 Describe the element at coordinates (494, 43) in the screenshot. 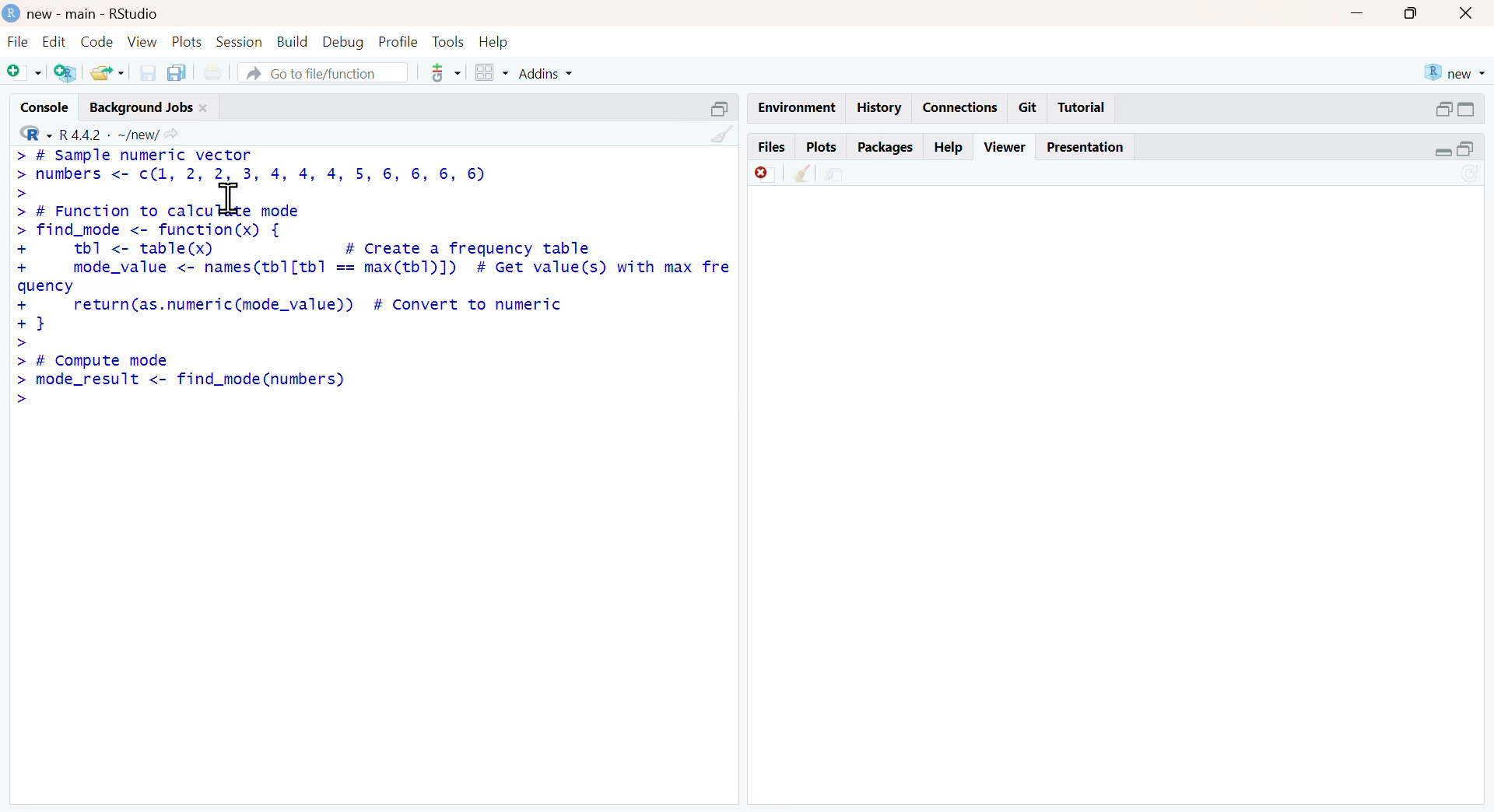

I see `help` at that location.